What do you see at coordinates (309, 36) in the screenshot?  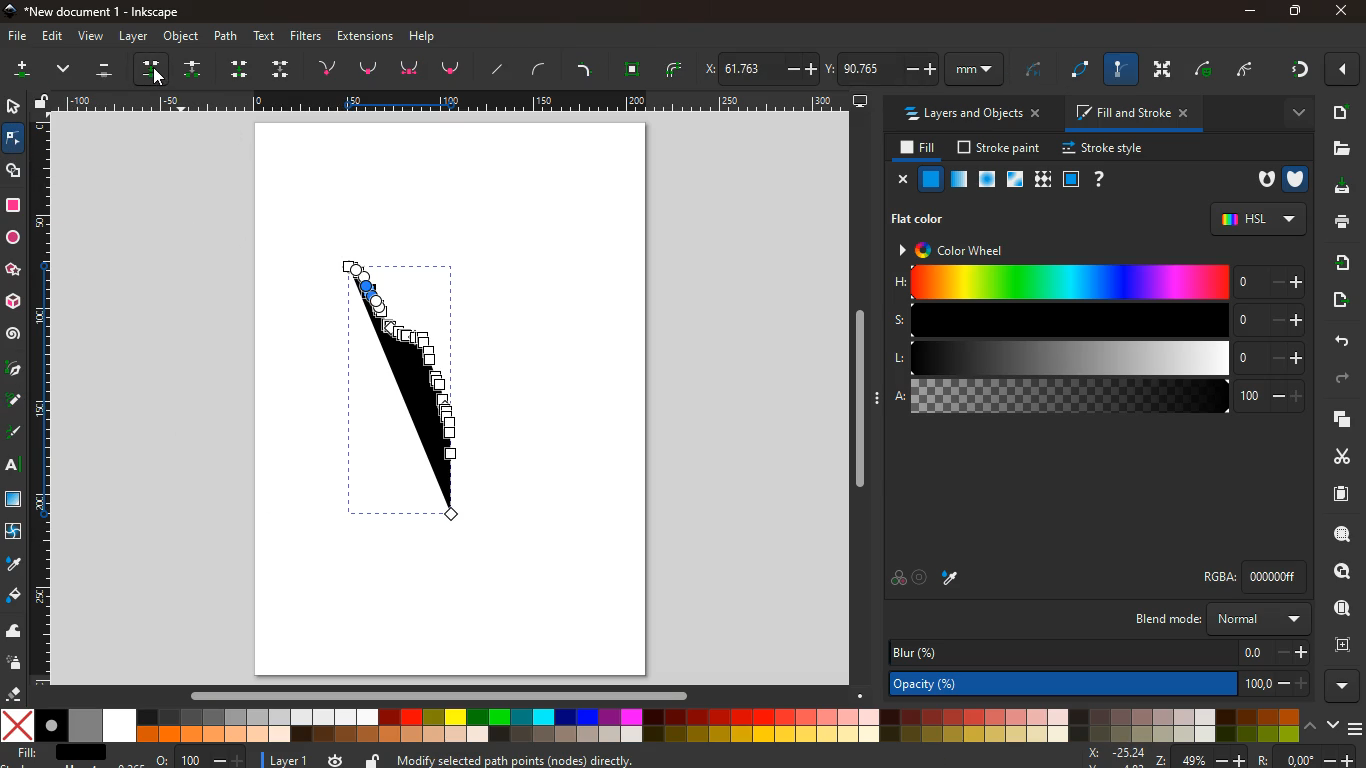 I see `filters` at bounding box center [309, 36].